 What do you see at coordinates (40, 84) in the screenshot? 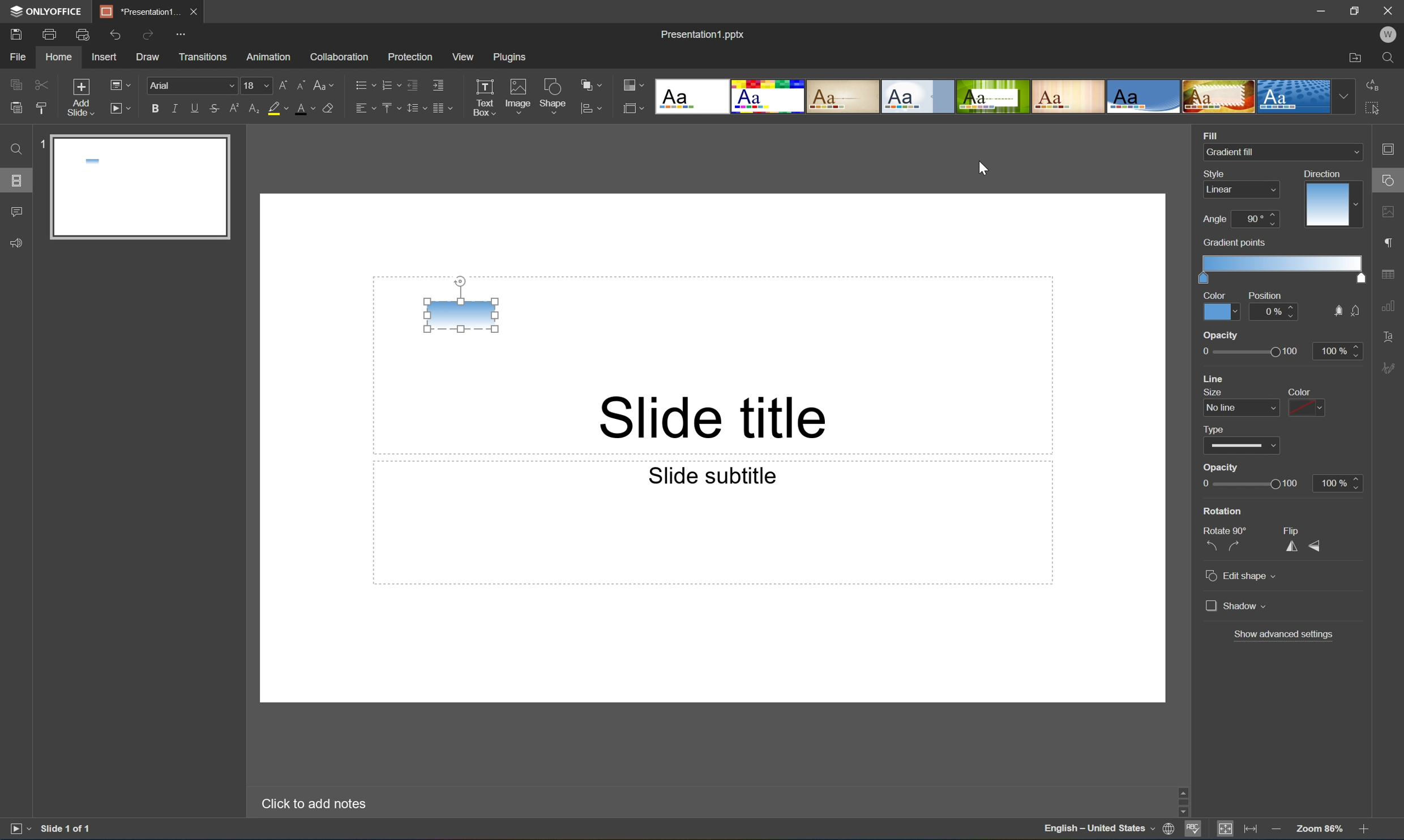
I see `Cut` at bounding box center [40, 84].